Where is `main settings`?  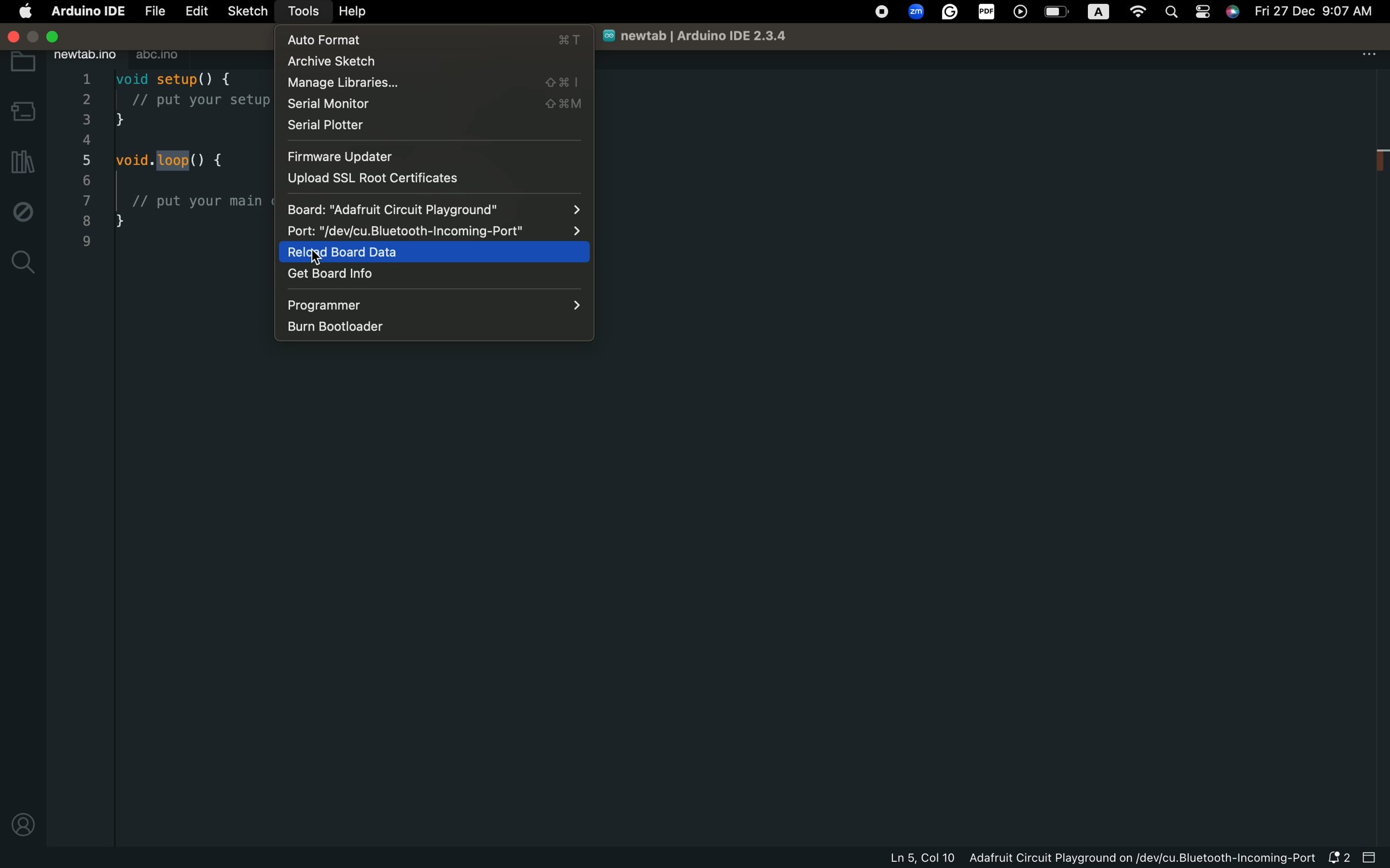 main settings is located at coordinates (24, 11).